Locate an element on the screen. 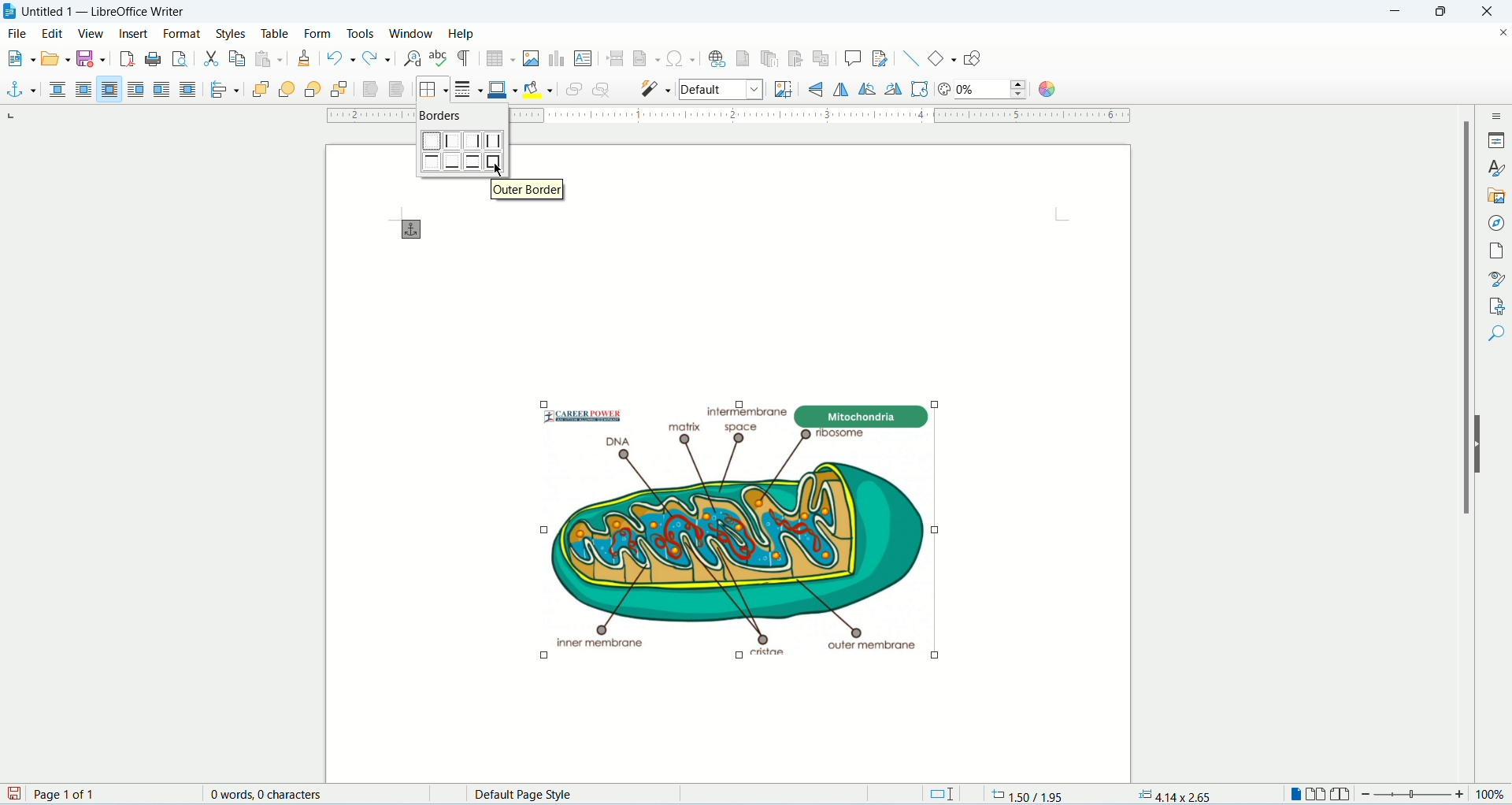 Image resolution: width=1512 pixels, height=805 pixels. after is located at coordinates (162, 90).